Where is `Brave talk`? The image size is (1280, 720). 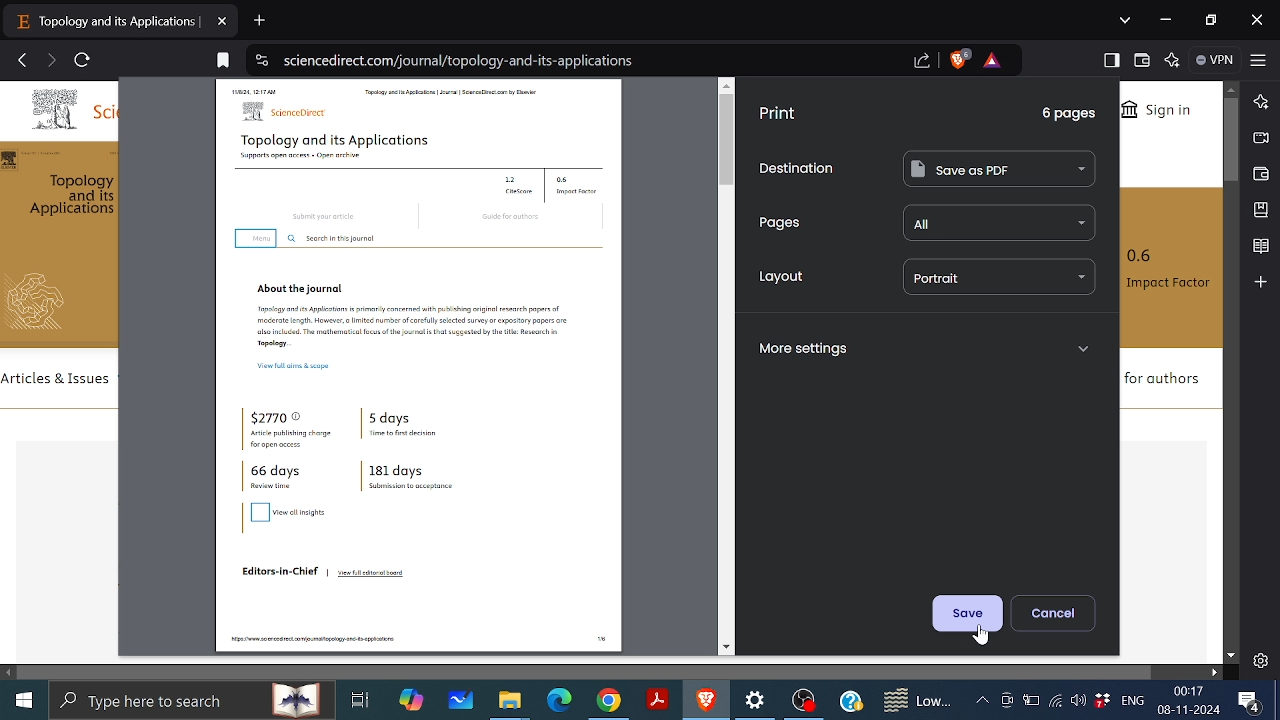 Brave talk is located at coordinates (1260, 138).